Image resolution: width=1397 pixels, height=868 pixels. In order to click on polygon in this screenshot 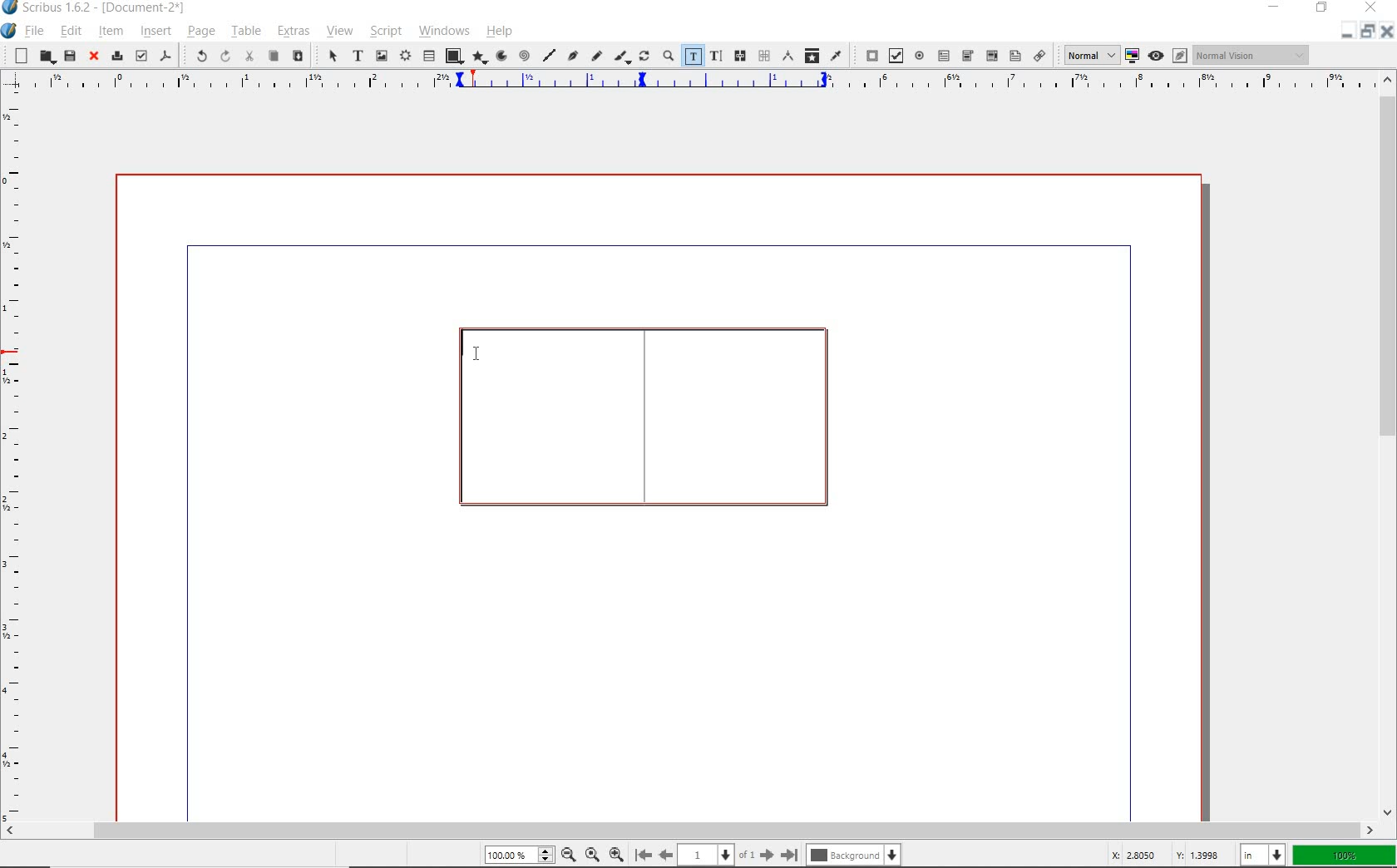, I will do `click(477, 57)`.